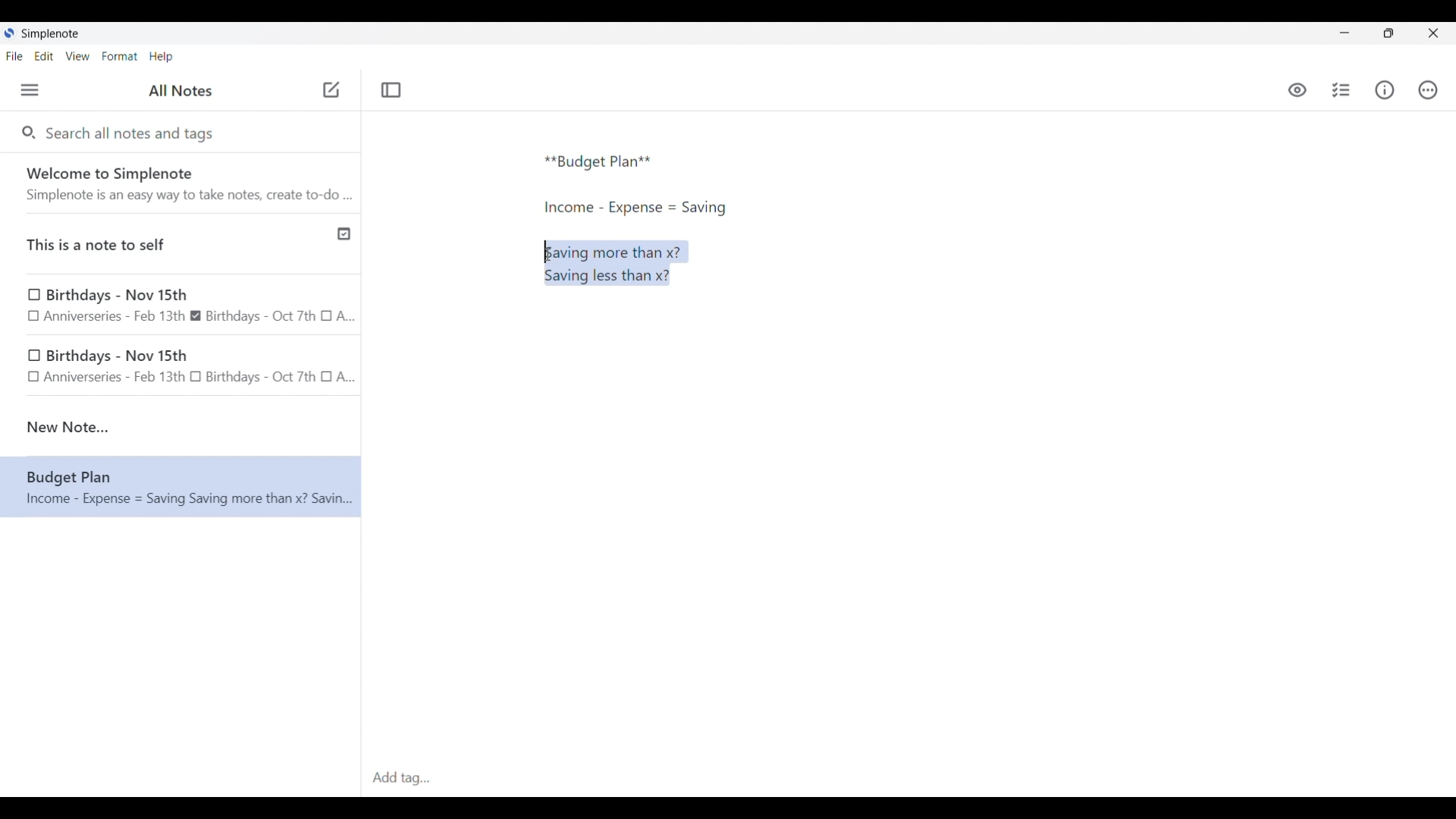 The width and height of the screenshot is (1456, 819). I want to click on Cursor unchanged after selecting text, so click(548, 255).